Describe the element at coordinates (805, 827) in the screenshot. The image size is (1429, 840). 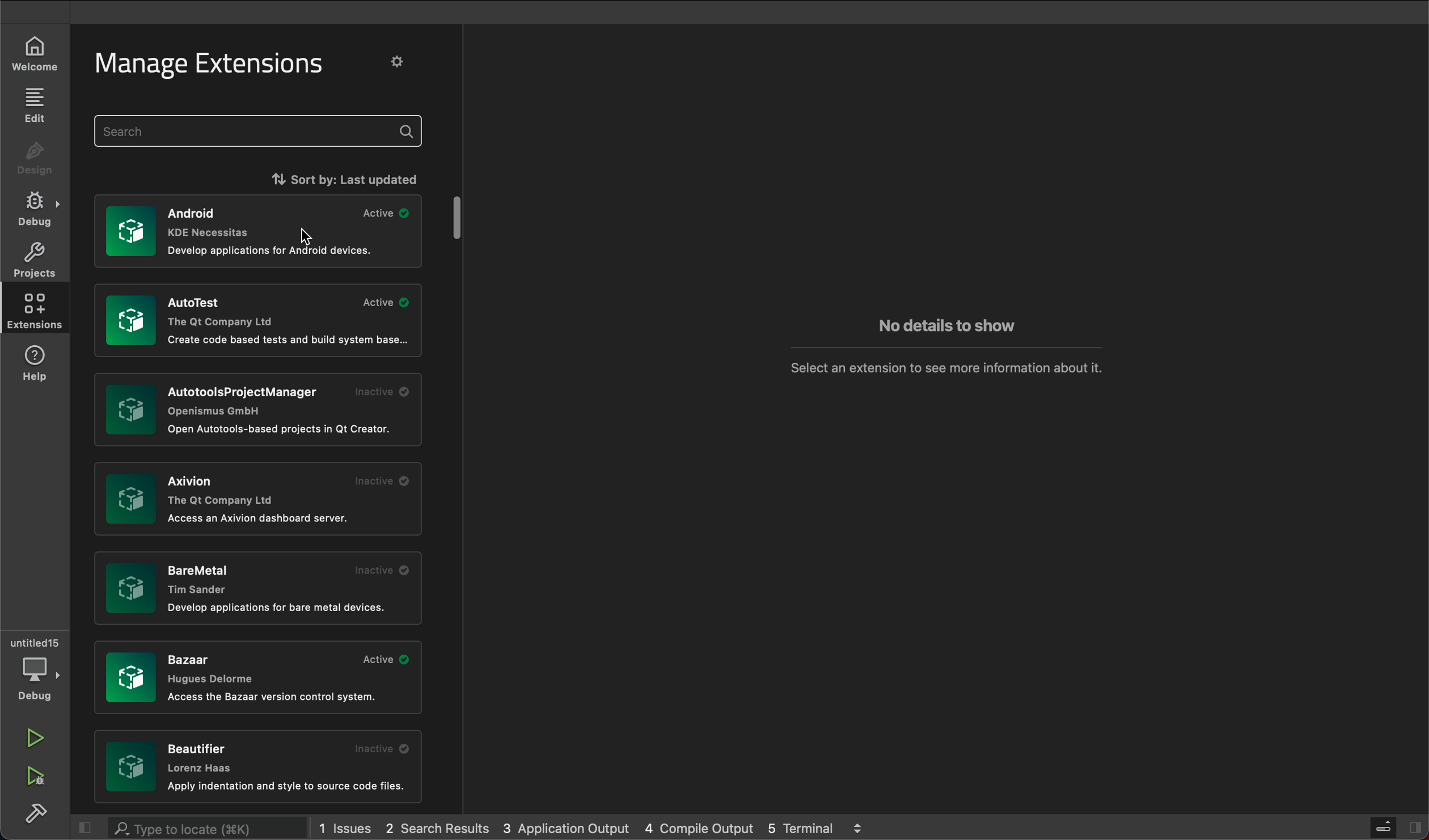
I see `logs` at that location.